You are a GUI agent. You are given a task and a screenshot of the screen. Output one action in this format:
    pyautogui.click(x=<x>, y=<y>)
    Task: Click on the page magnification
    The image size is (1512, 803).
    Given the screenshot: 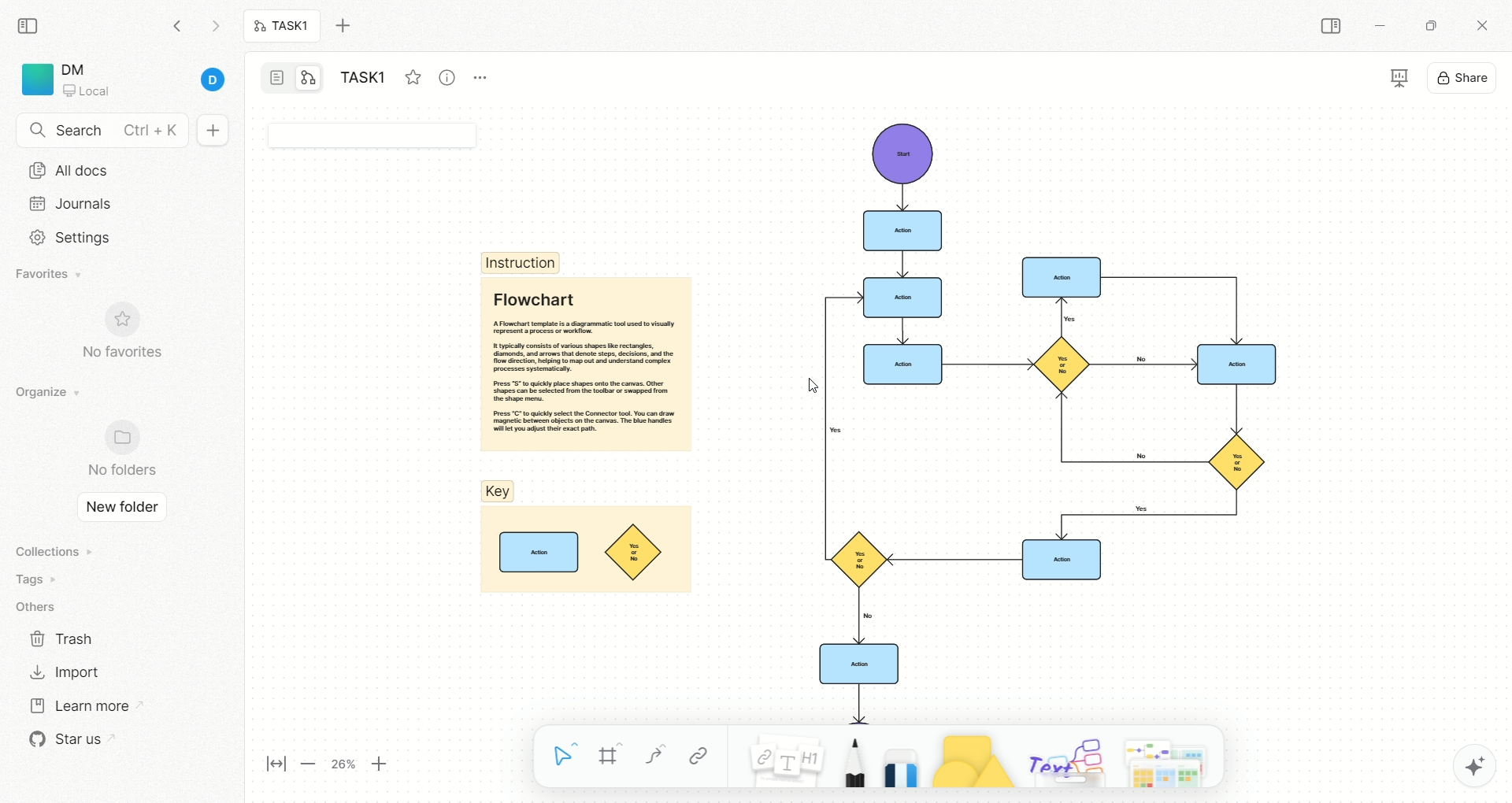 What is the action you would take?
    pyautogui.click(x=332, y=766)
    